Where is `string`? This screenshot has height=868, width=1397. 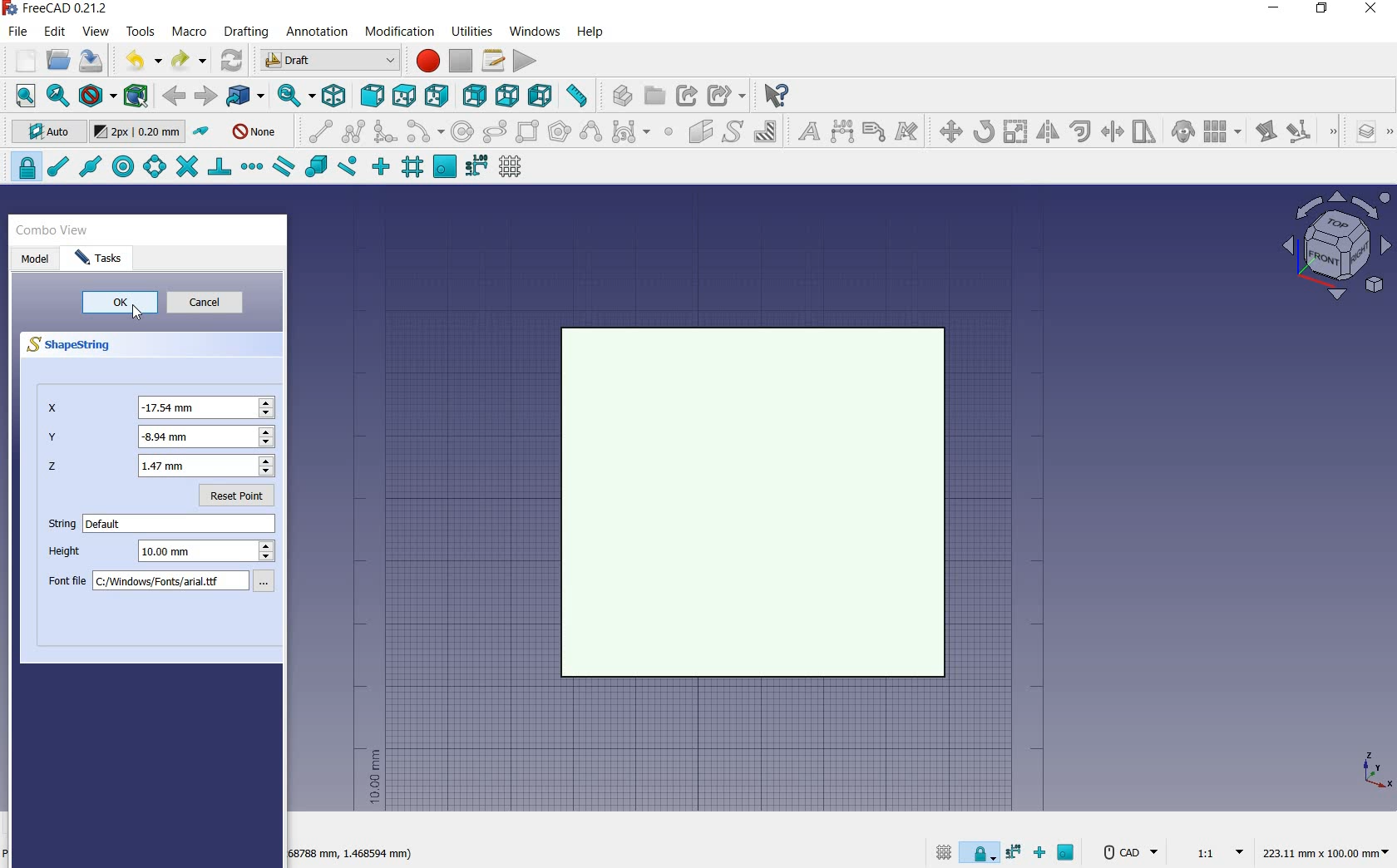
string is located at coordinates (58, 525).